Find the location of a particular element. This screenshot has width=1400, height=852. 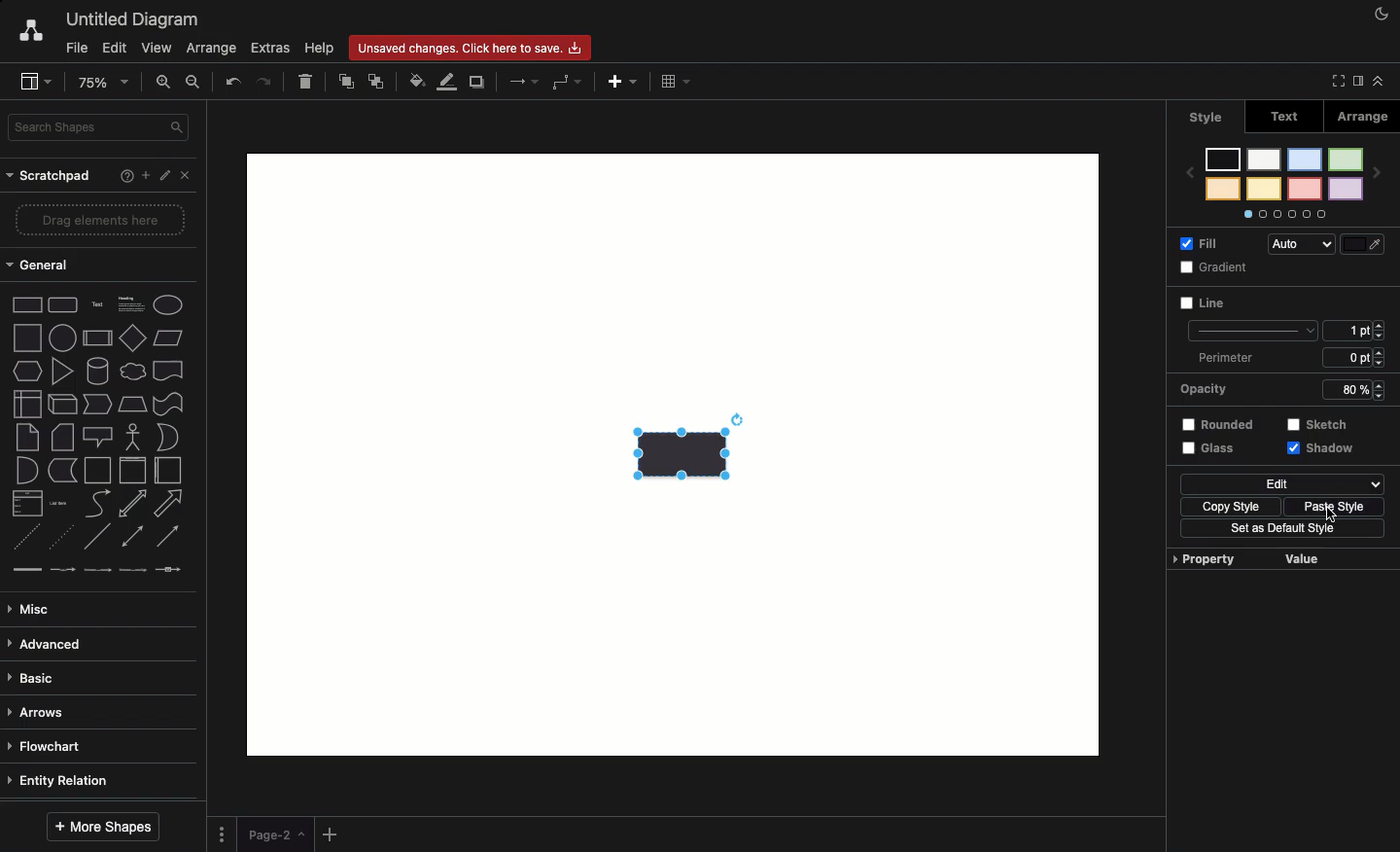

Night mode is located at coordinates (1380, 13).